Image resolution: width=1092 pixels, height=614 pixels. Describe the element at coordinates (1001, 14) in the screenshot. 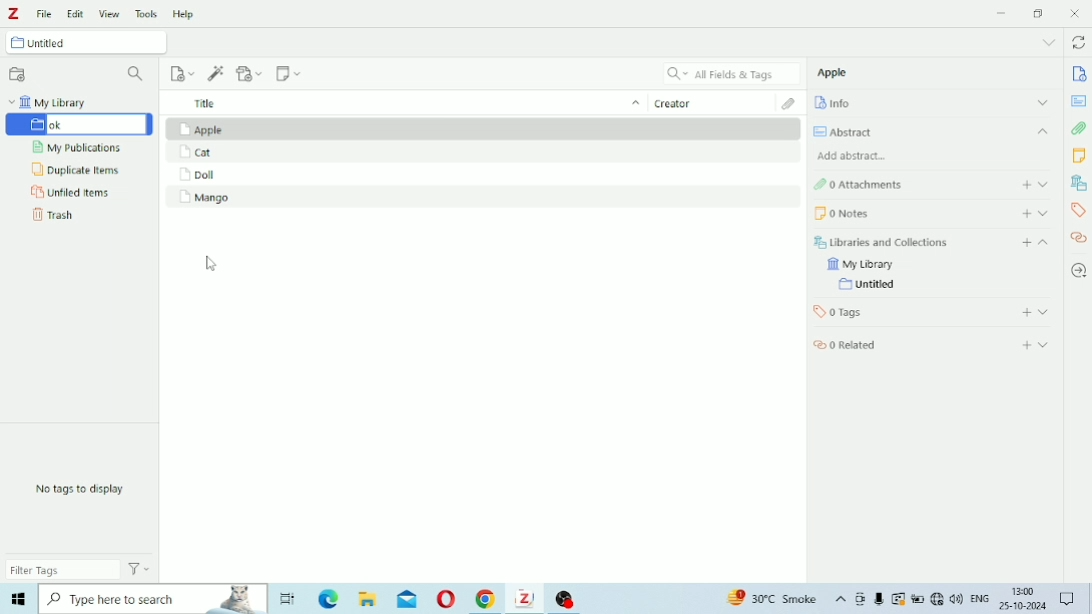

I see `Minimize` at that location.